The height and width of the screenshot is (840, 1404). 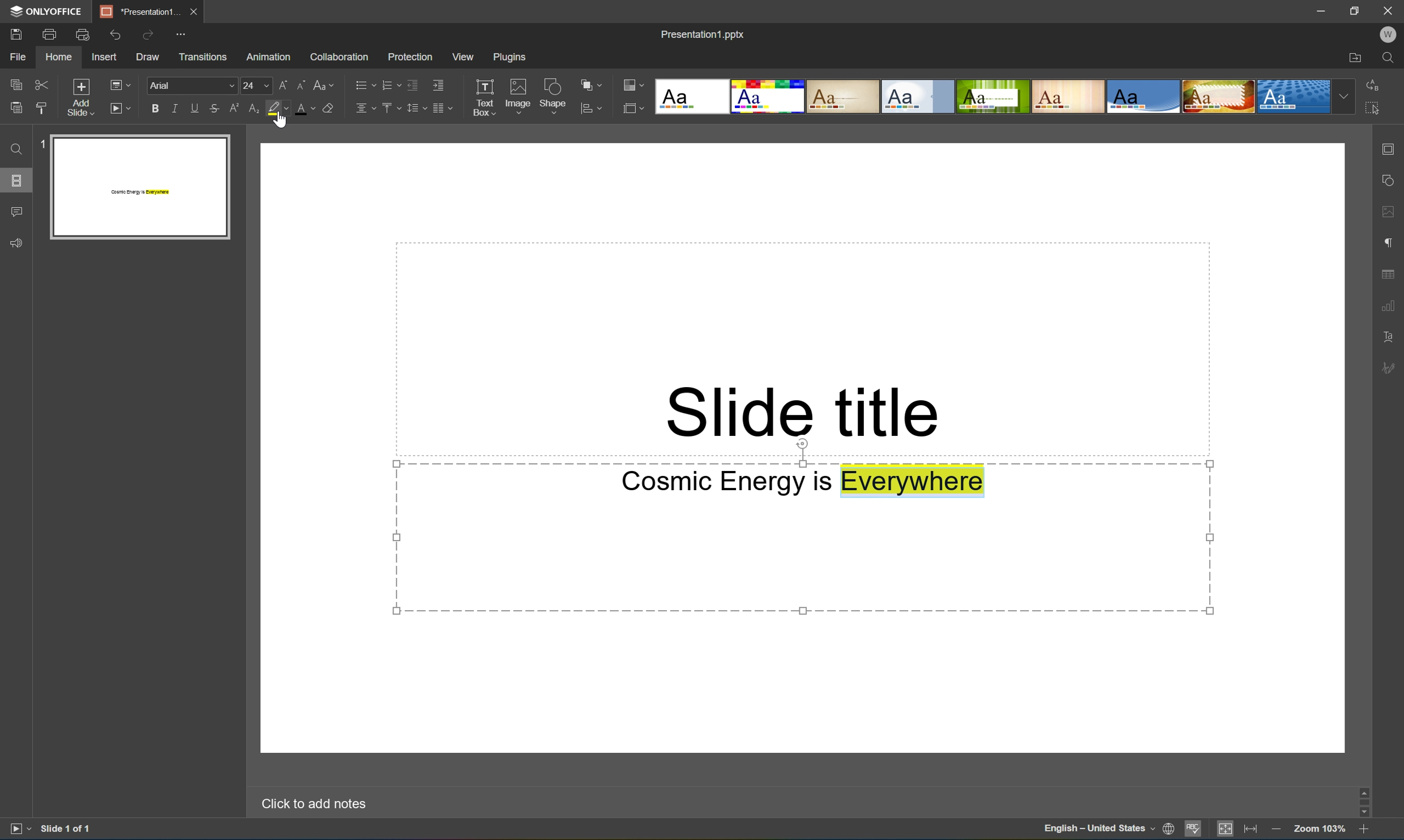 What do you see at coordinates (302, 83) in the screenshot?
I see `Decrement font size` at bounding box center [302, 83].